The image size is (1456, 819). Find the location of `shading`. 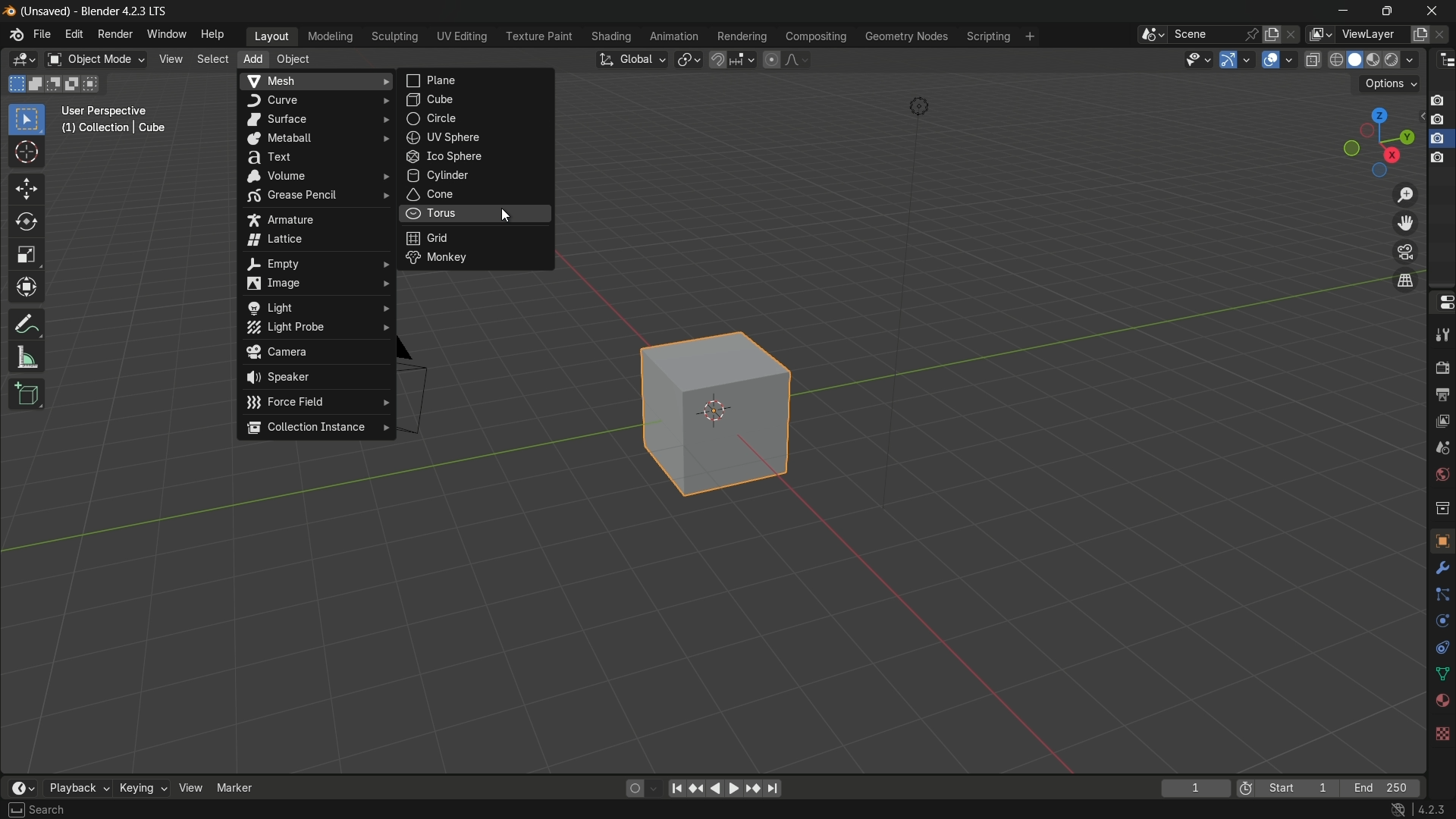

shading is located at coordinates (610, 36).